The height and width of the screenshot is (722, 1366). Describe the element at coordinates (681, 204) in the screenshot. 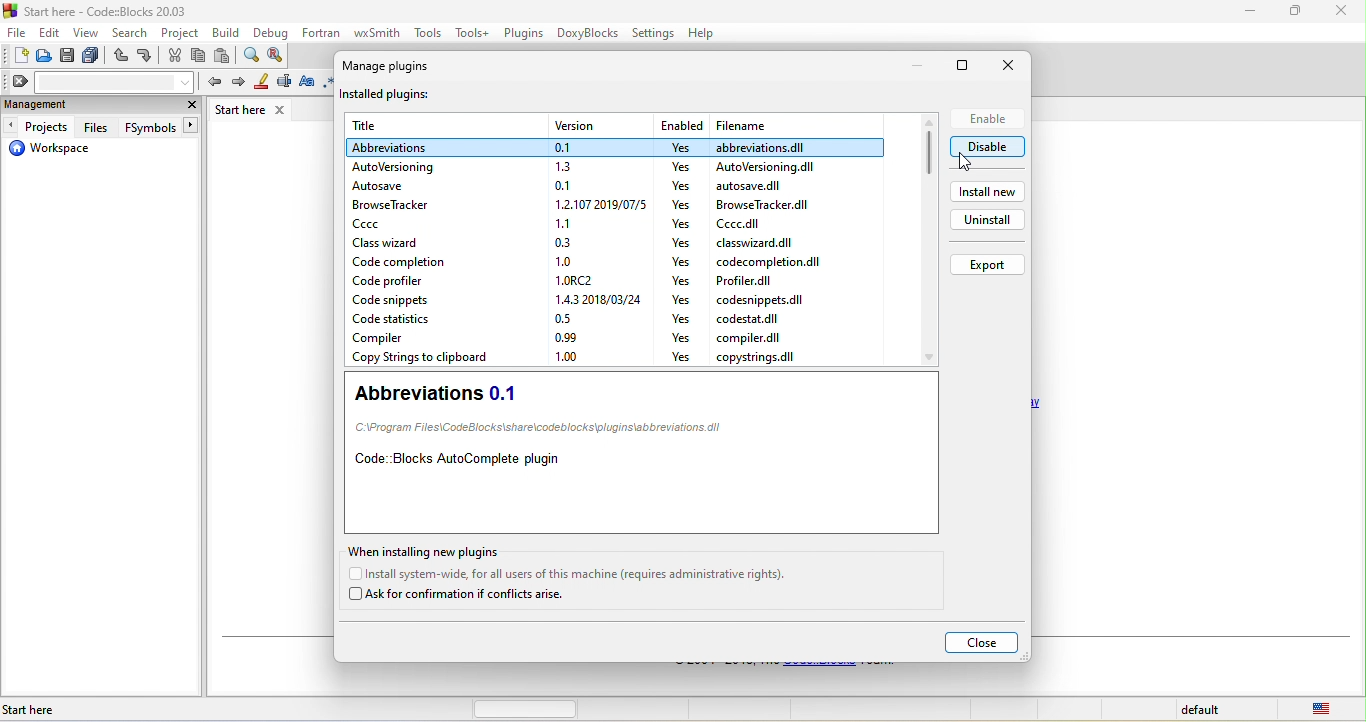

I see `yes` at that location.